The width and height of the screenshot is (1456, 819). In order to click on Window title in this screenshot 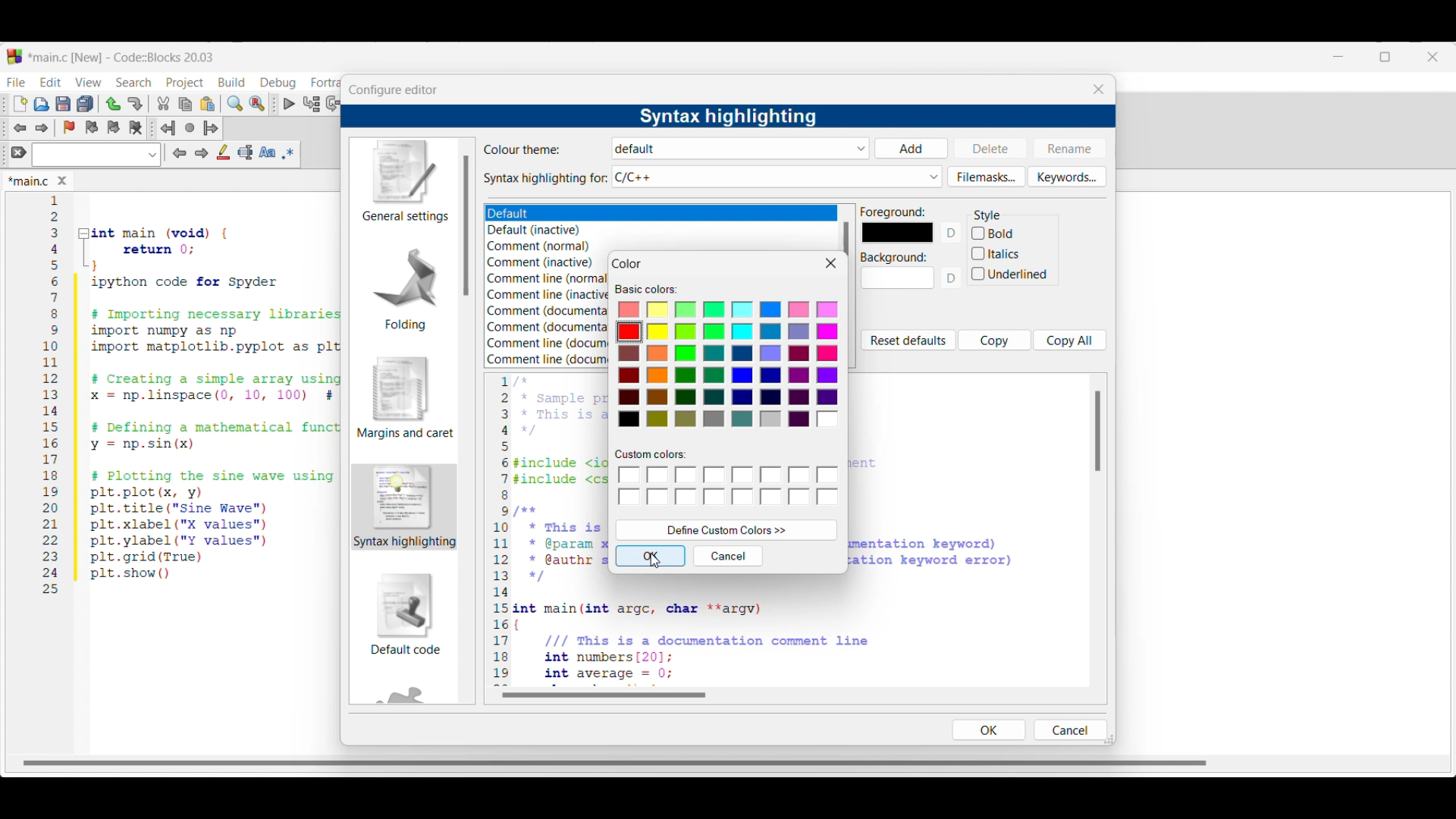, I will do `click(393, 90)`.